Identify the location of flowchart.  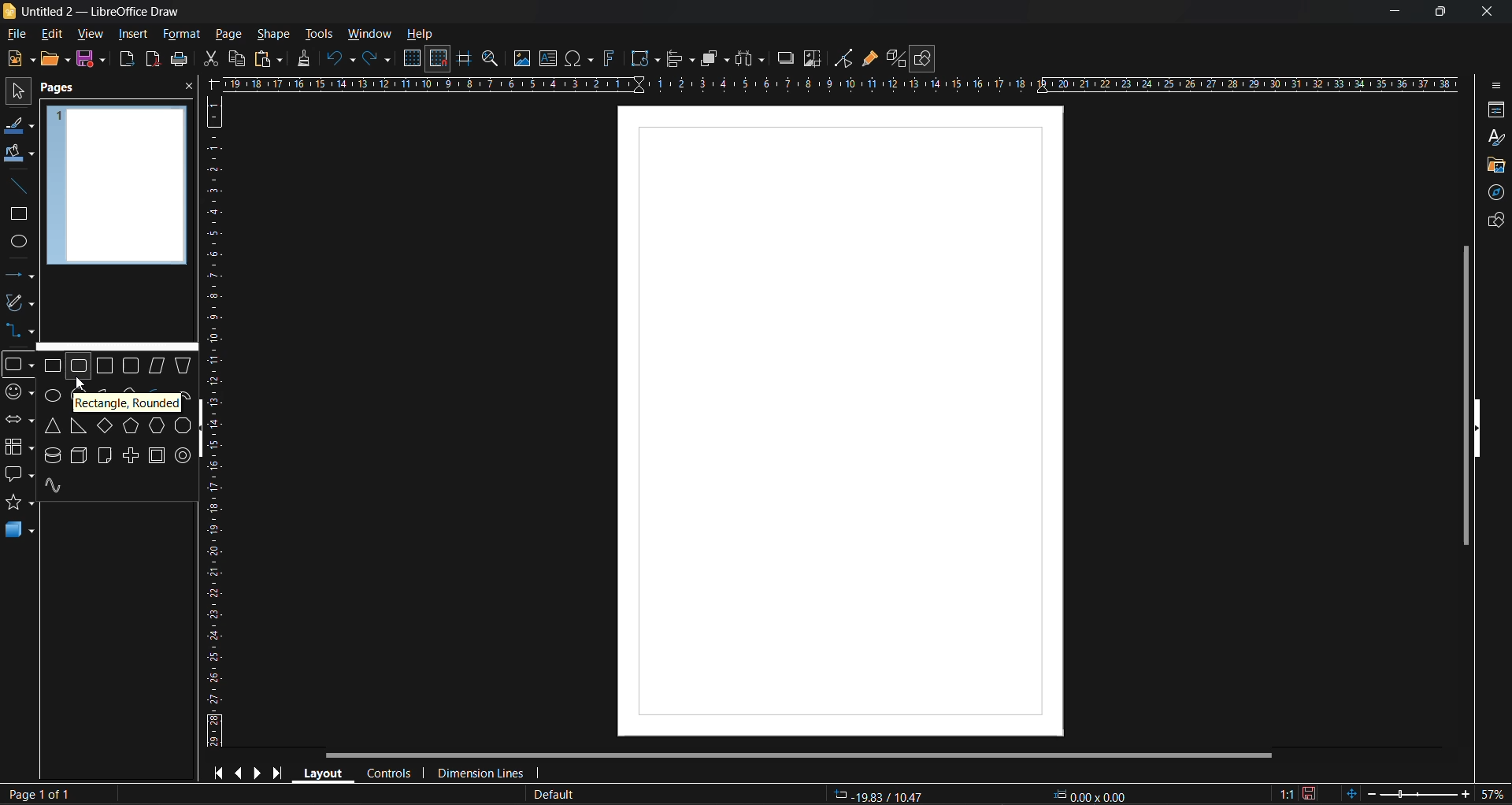
(19, 447).